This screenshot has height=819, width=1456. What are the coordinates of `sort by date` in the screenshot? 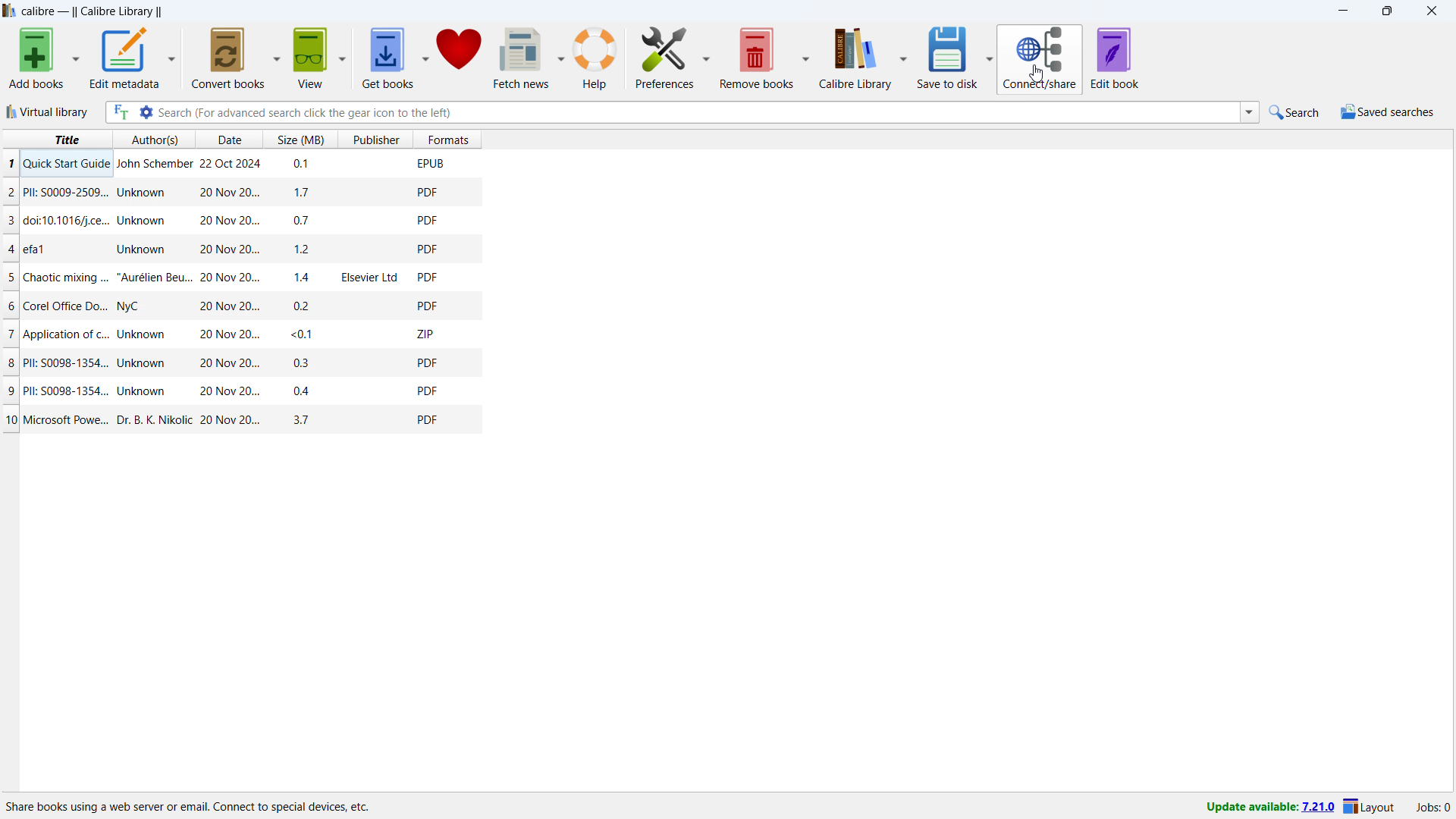 It's located at (229, 139).